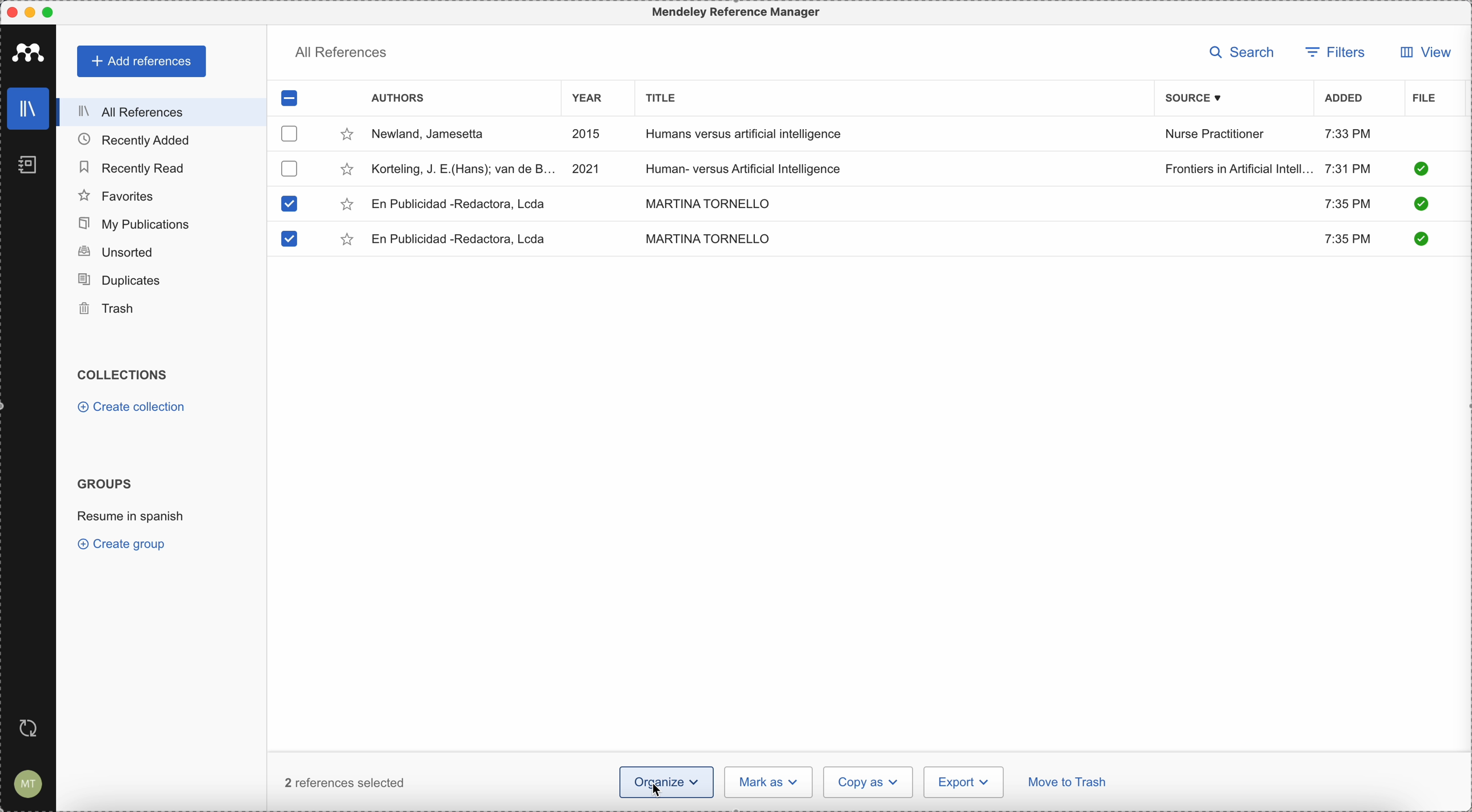  What do you see at coordinates (349, 241) in the screenshot?
I see `favorite` at bounding box center [349, 241].